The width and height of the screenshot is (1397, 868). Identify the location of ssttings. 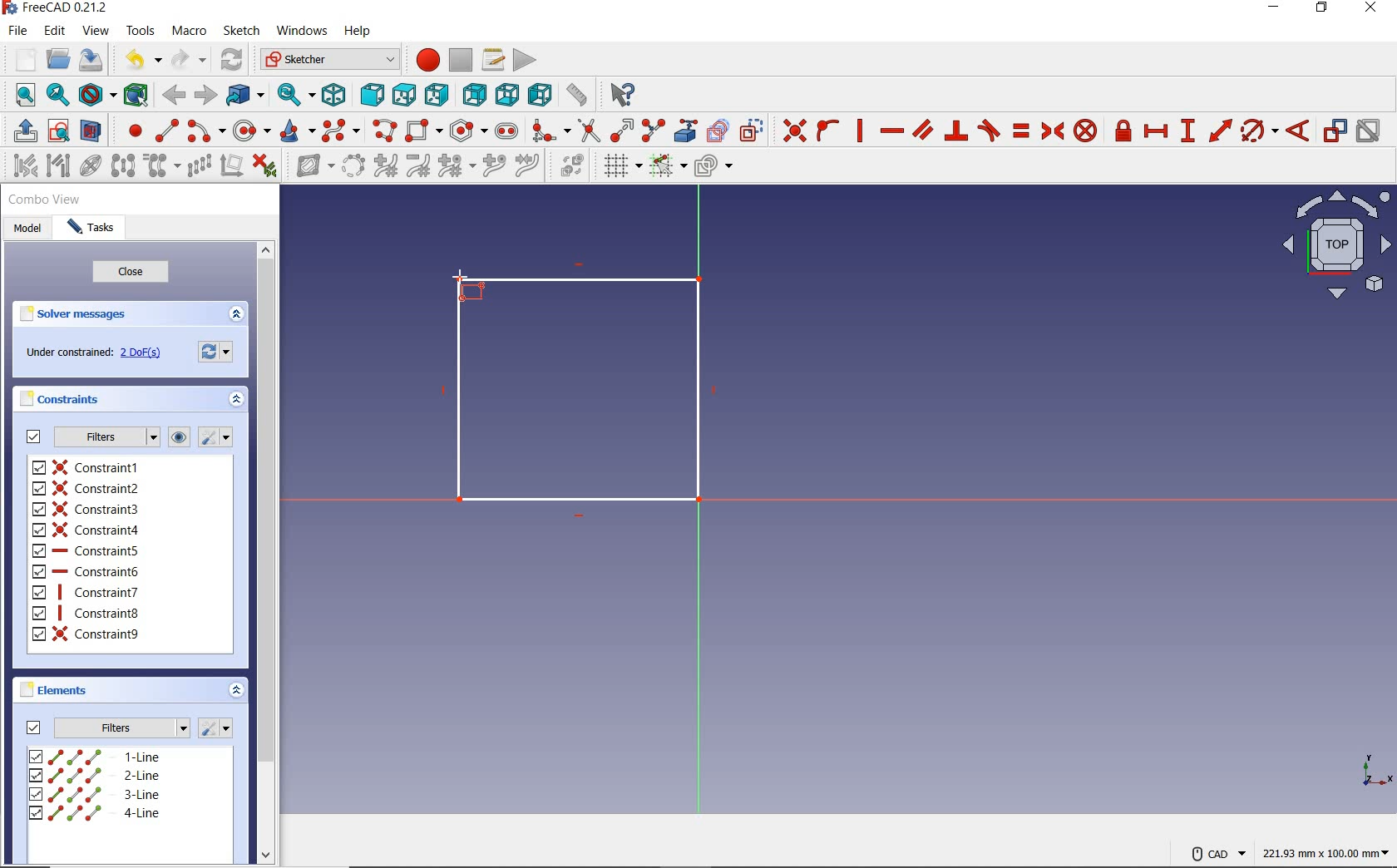
(218, 438).